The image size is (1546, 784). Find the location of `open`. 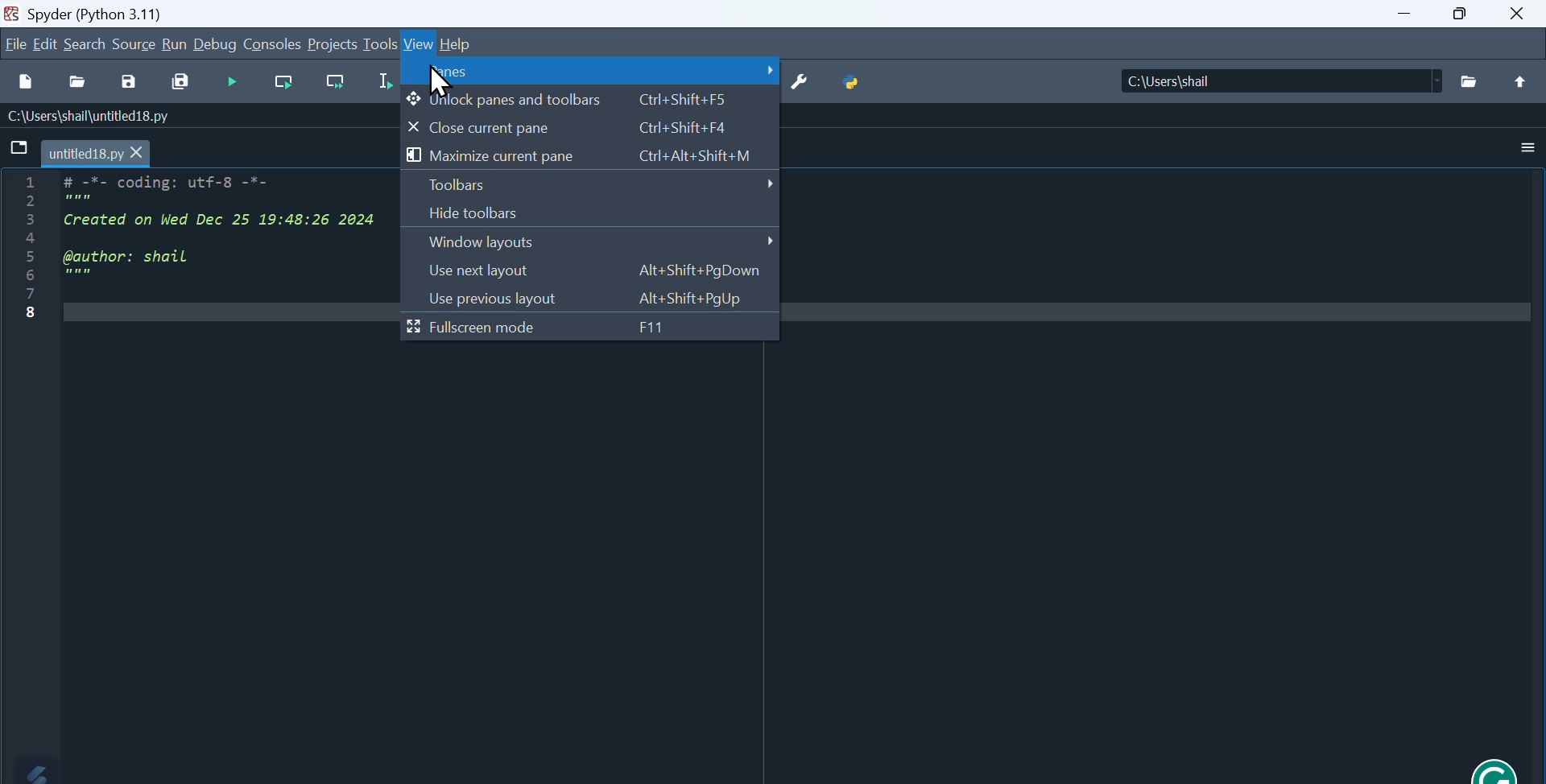

open is located at coordinates (77, 83).